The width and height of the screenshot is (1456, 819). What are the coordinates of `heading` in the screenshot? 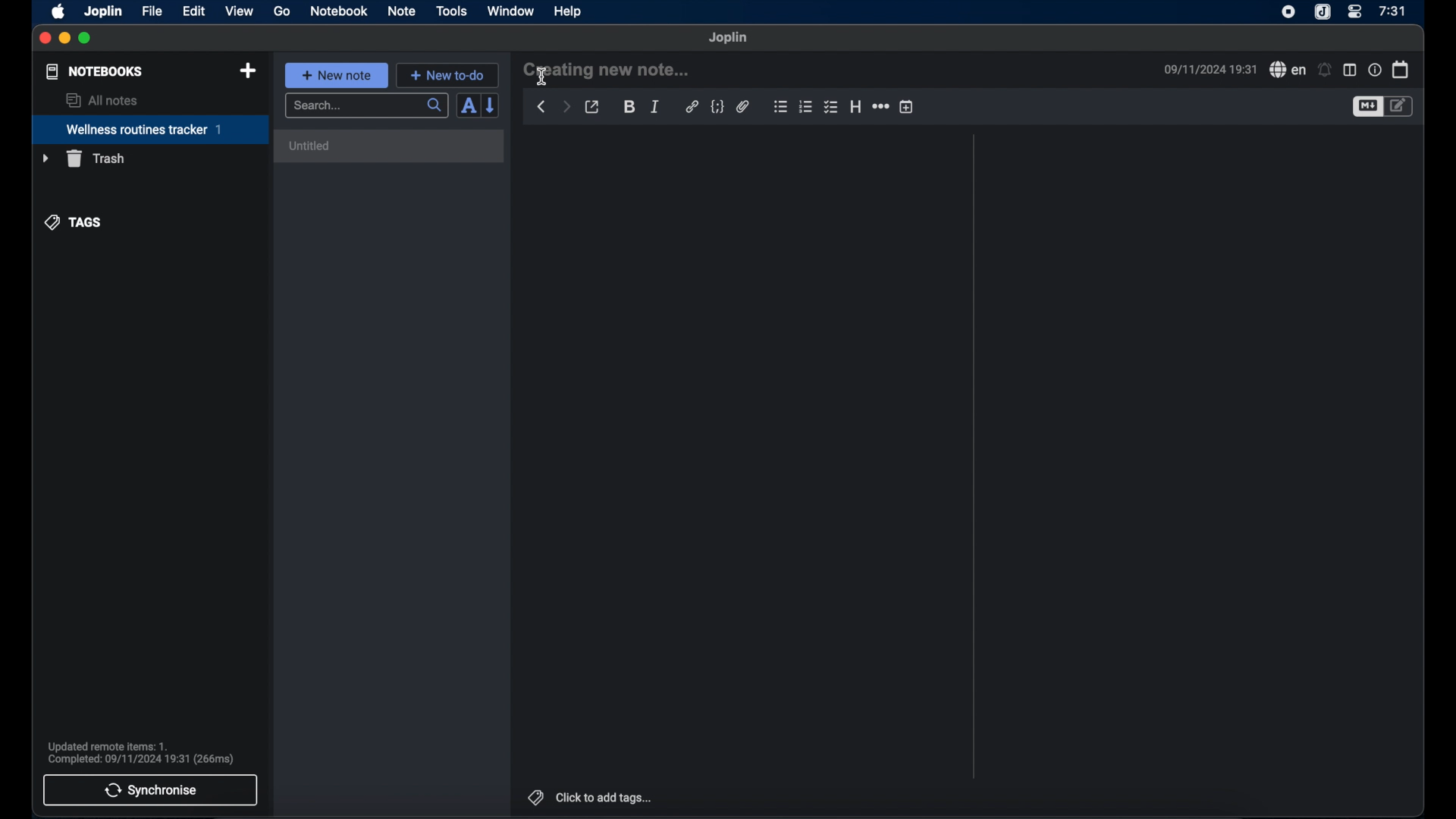 It's located at (855, 106).